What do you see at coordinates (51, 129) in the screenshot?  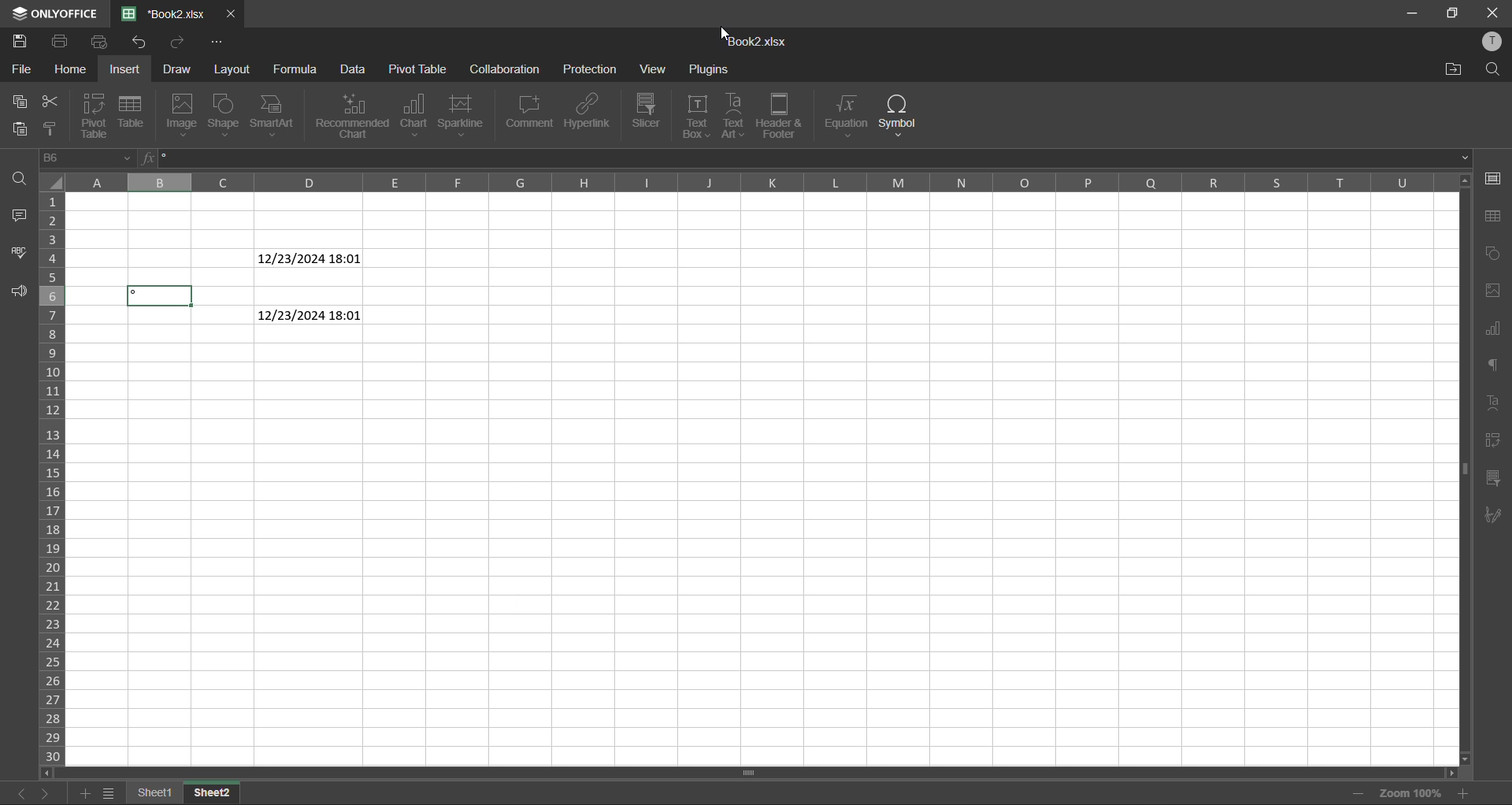 I see `copy style` at bounding box center [51, 129].